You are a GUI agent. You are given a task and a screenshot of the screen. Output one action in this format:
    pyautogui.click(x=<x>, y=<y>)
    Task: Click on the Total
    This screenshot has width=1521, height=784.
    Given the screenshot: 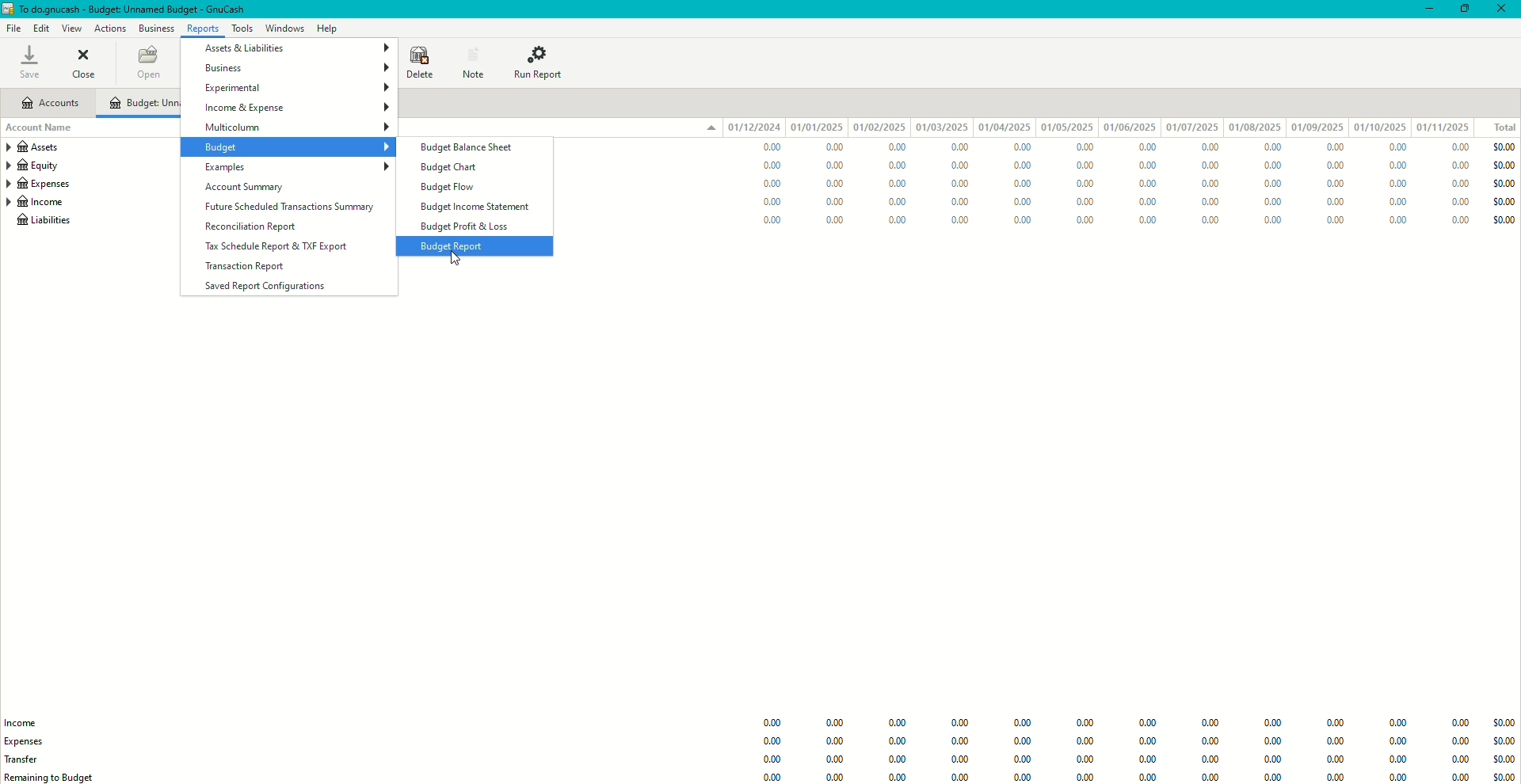 What is the action you would take?
    pyautogui.click(x=1497, y=127)
    